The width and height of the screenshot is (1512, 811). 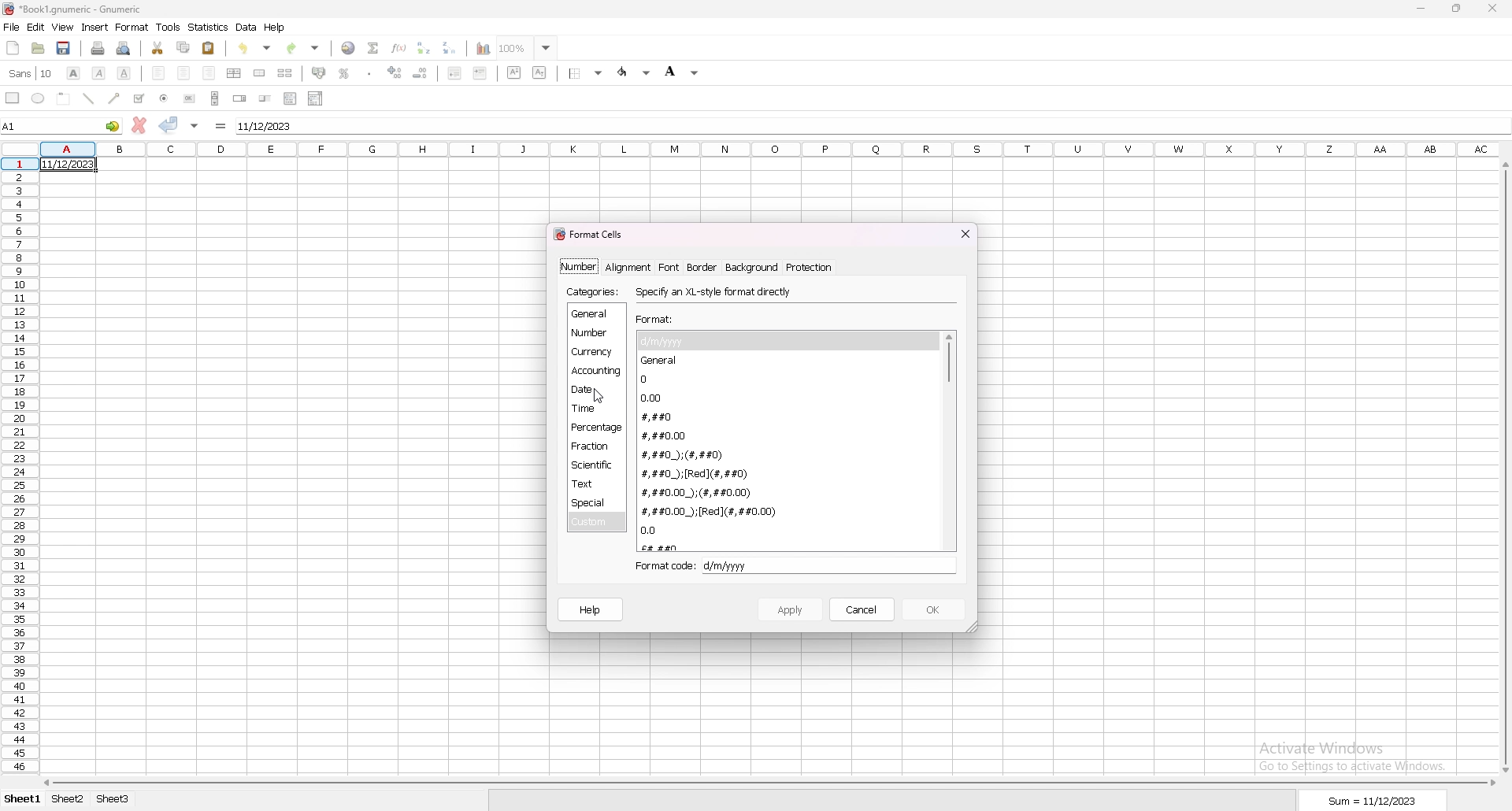 What do you see at coordinates (810, 267) in the screenshot?
I see `protection` at bounding box center [810, 267].